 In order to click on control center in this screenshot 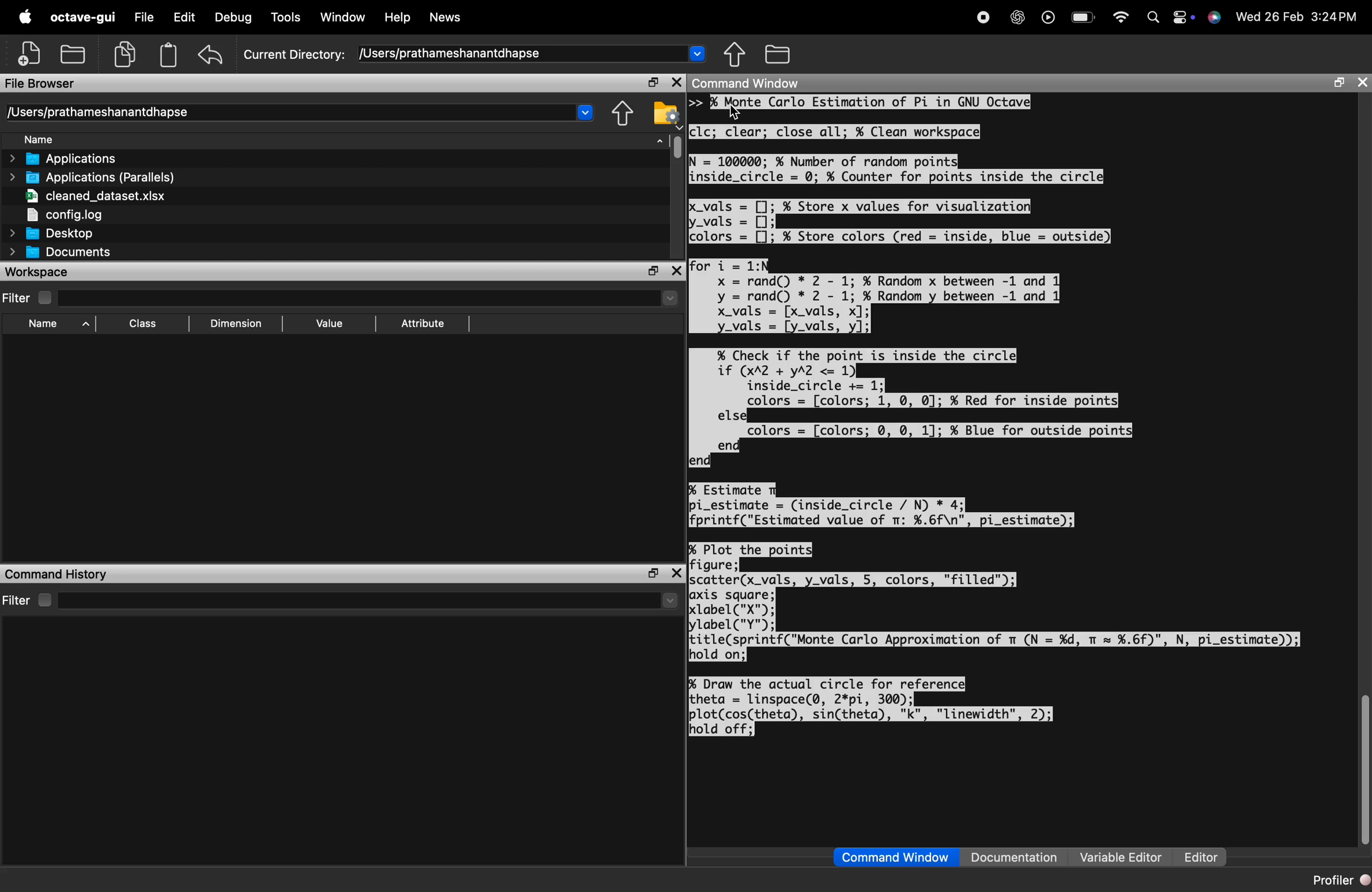, I will do `click(1182, 18)`.